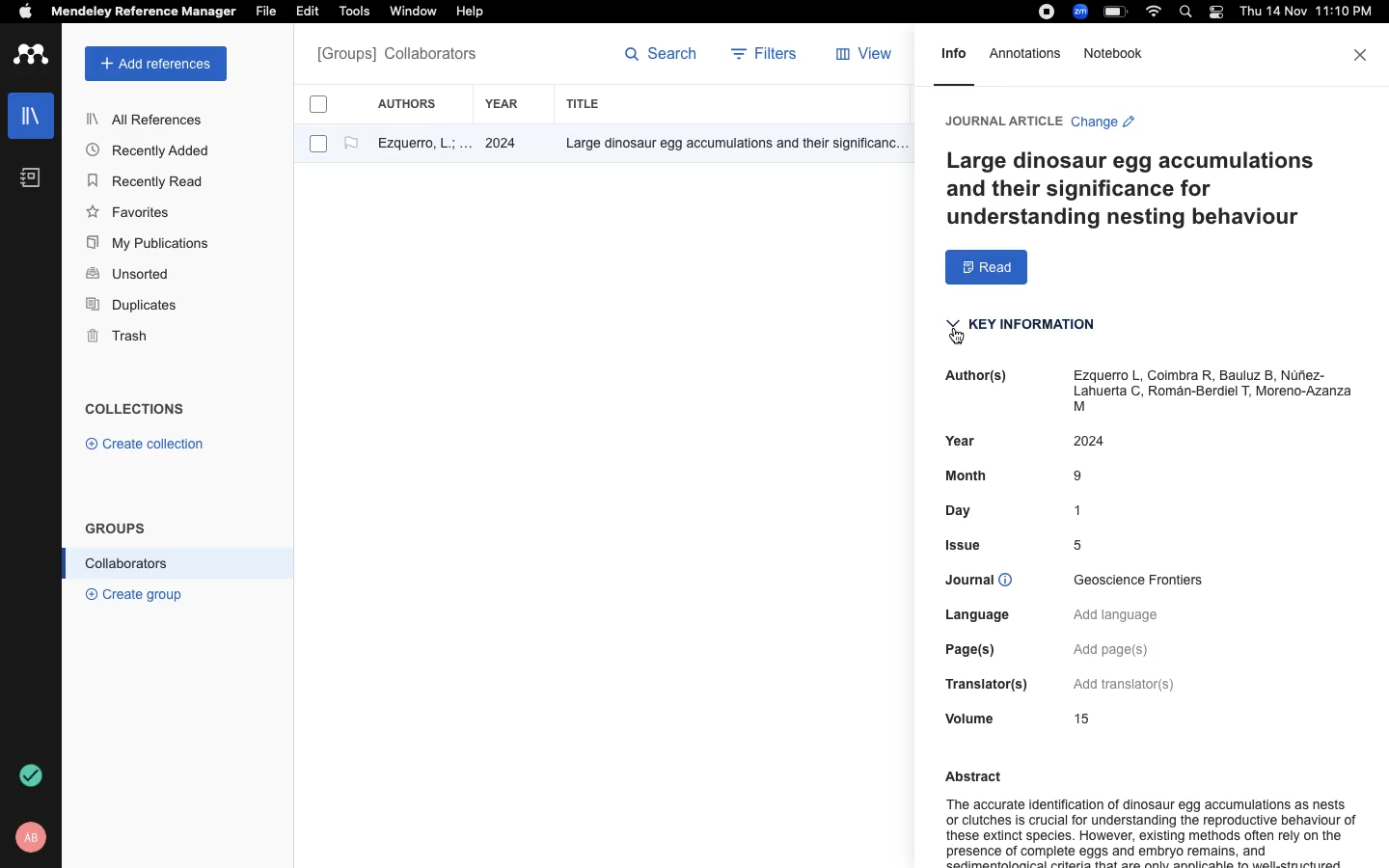 The height and width of the screenshot is (868, 1389). Describe the element at coordinates (1084, 510) in the screenshot. I see `1` at that location.